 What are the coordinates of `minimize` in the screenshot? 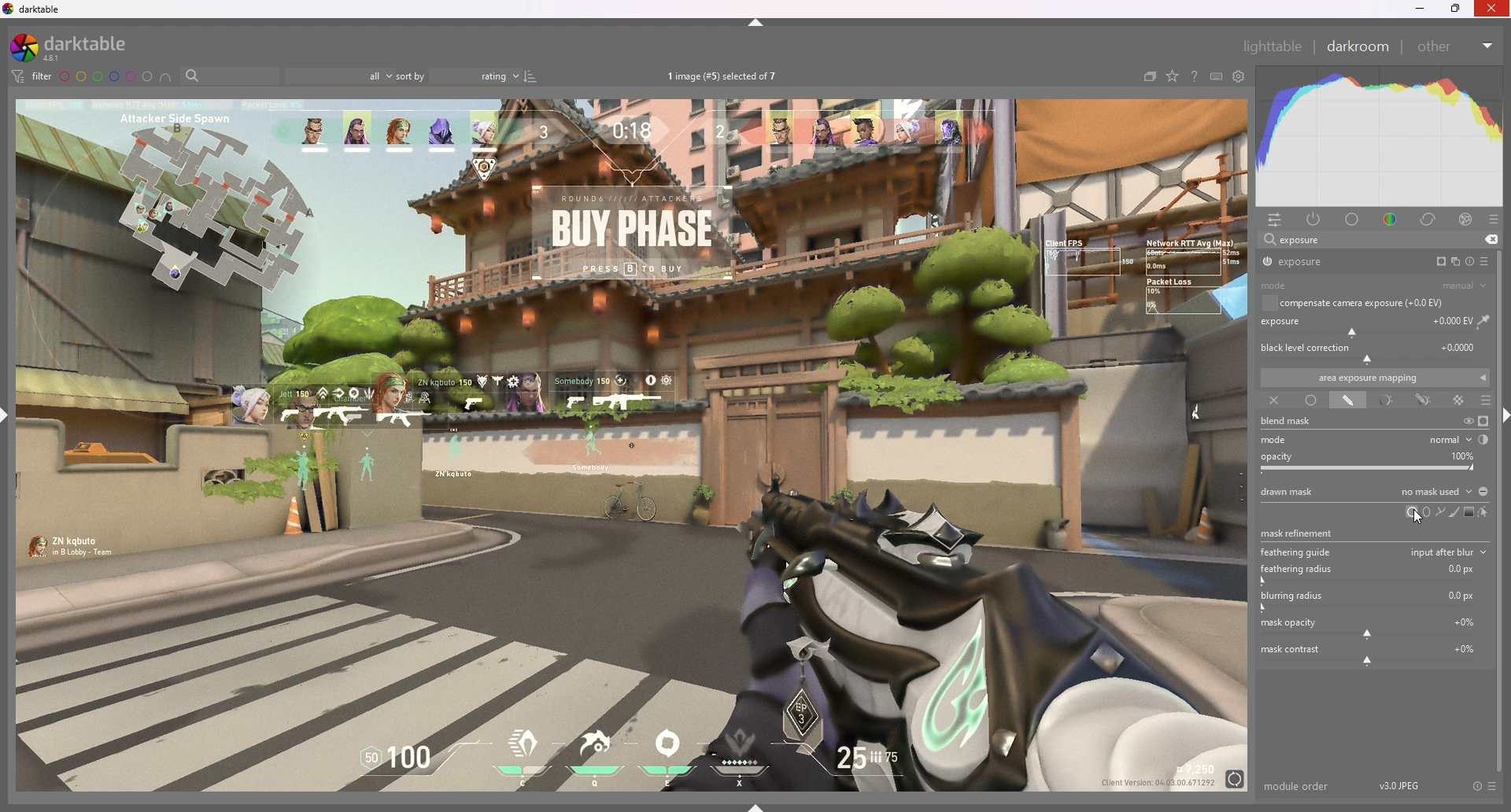 It's located at (1420, 9).